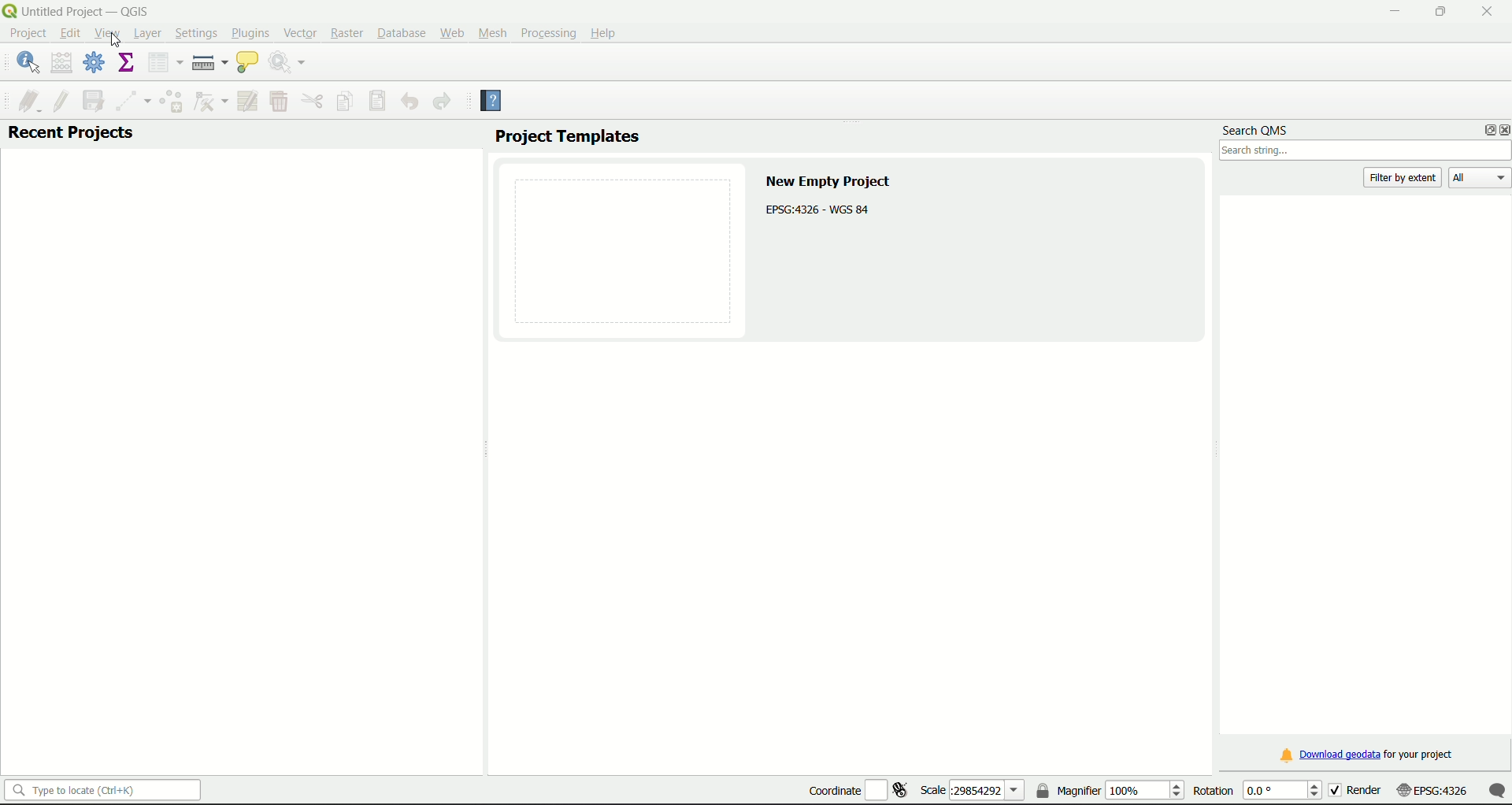 The image size is (1512, 805). I want to click on Add feature, so click(173, 102).